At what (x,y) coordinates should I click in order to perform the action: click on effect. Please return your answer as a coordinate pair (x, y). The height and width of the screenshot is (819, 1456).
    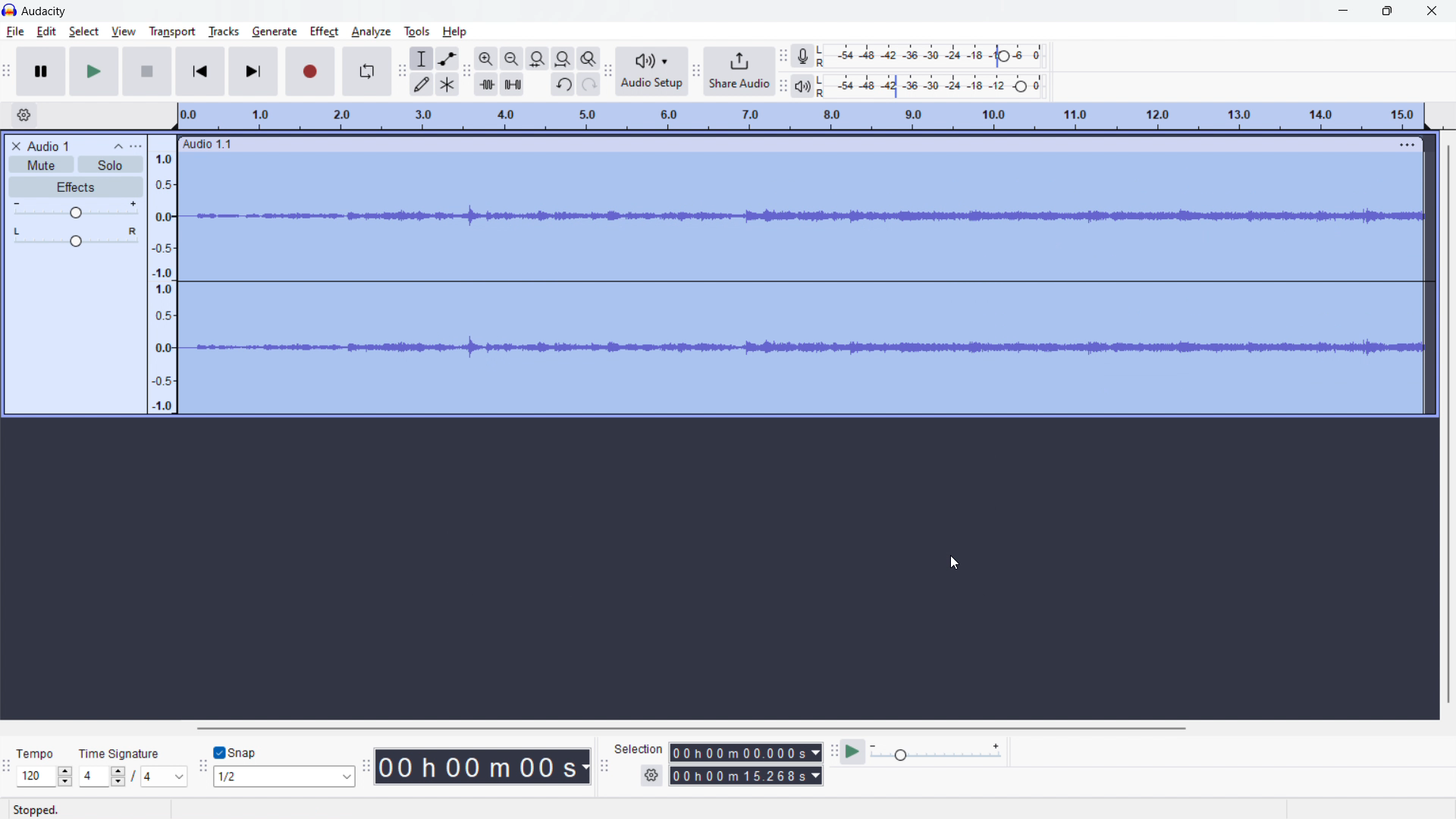
    Looking at the image, I should click on (325, 32).